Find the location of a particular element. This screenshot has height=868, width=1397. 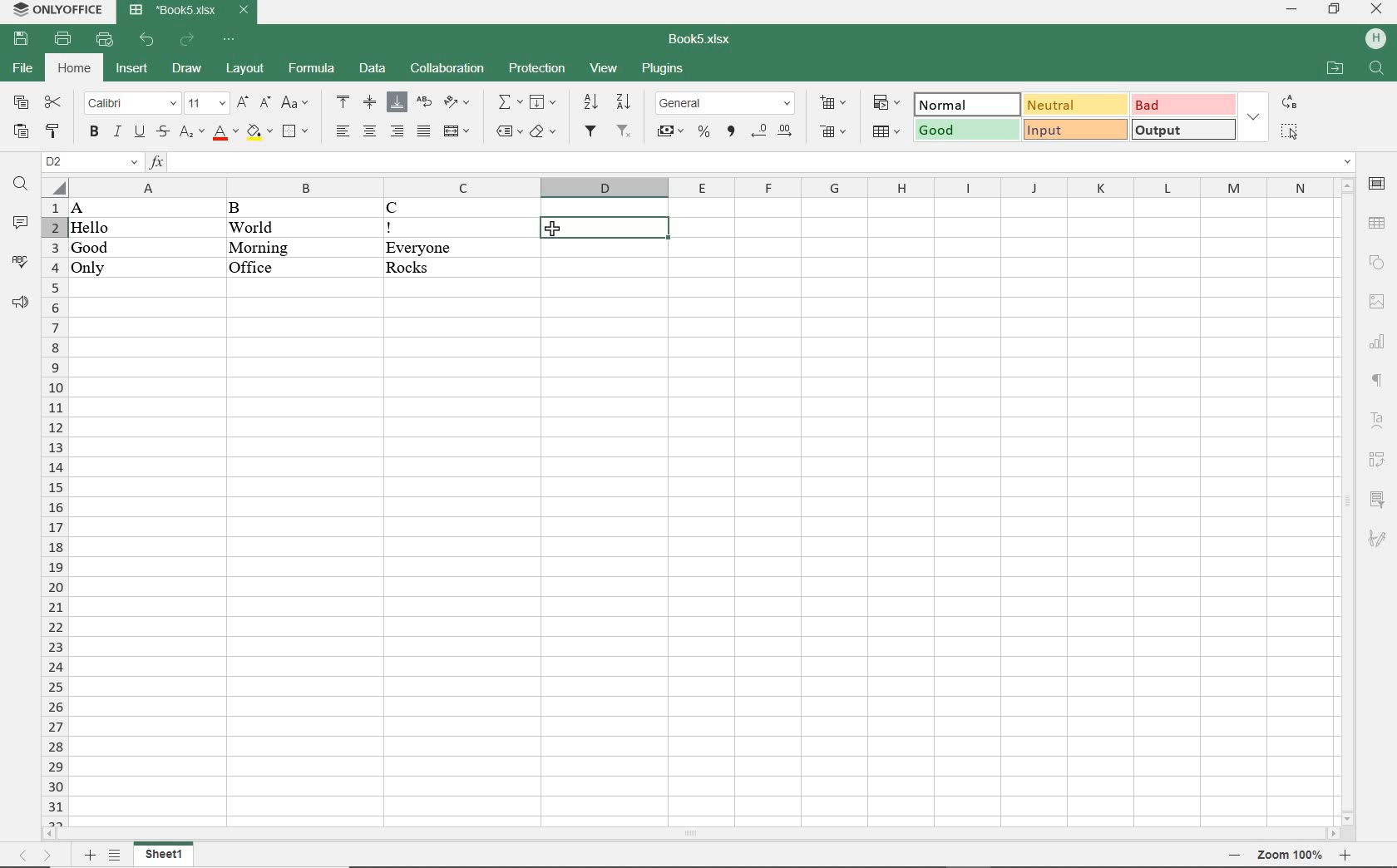

hp is located at coordinates (1375, 38).